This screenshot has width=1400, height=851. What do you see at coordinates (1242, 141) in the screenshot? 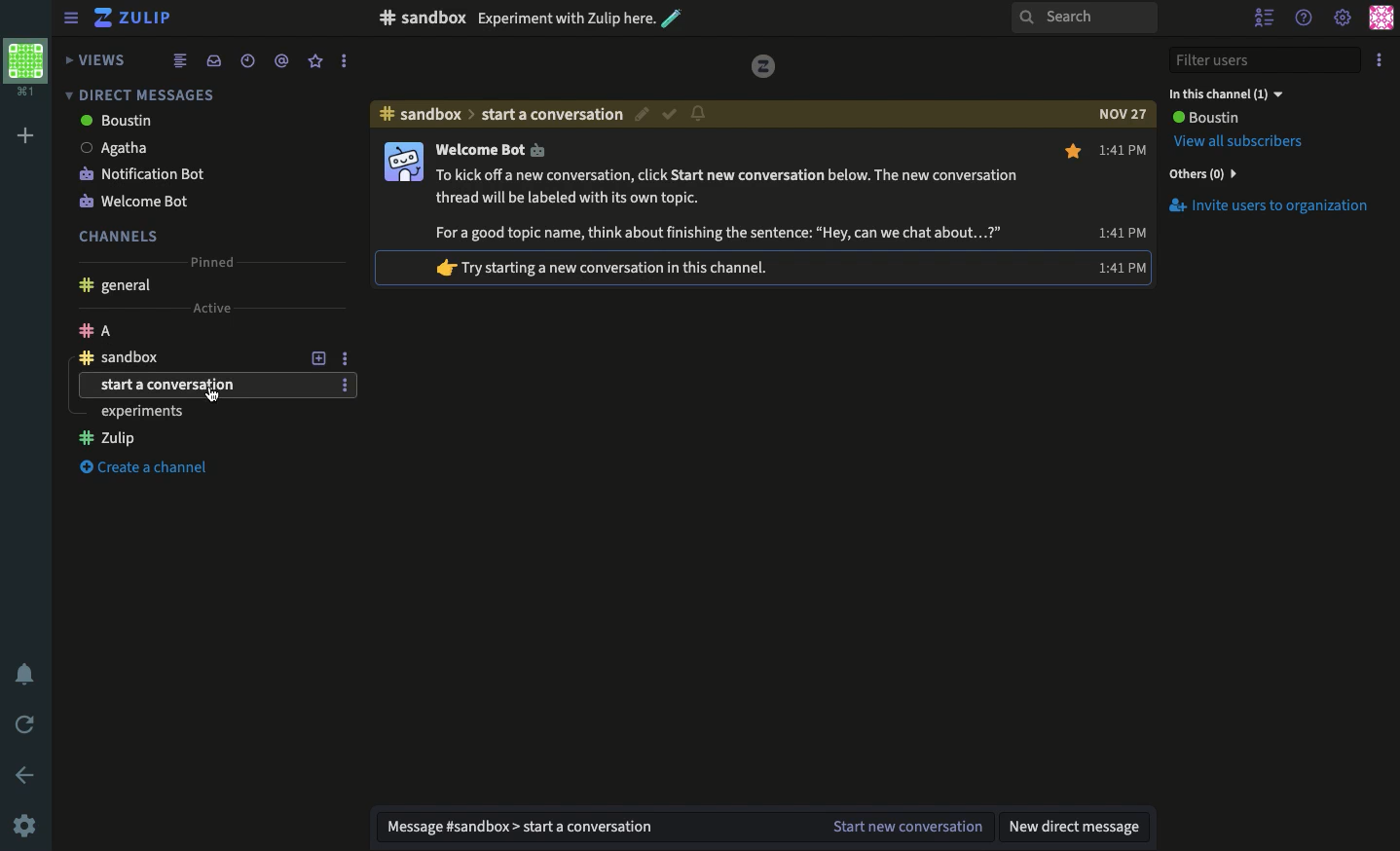
I see `View all Subscribers` at bounding box center [1242, 141].